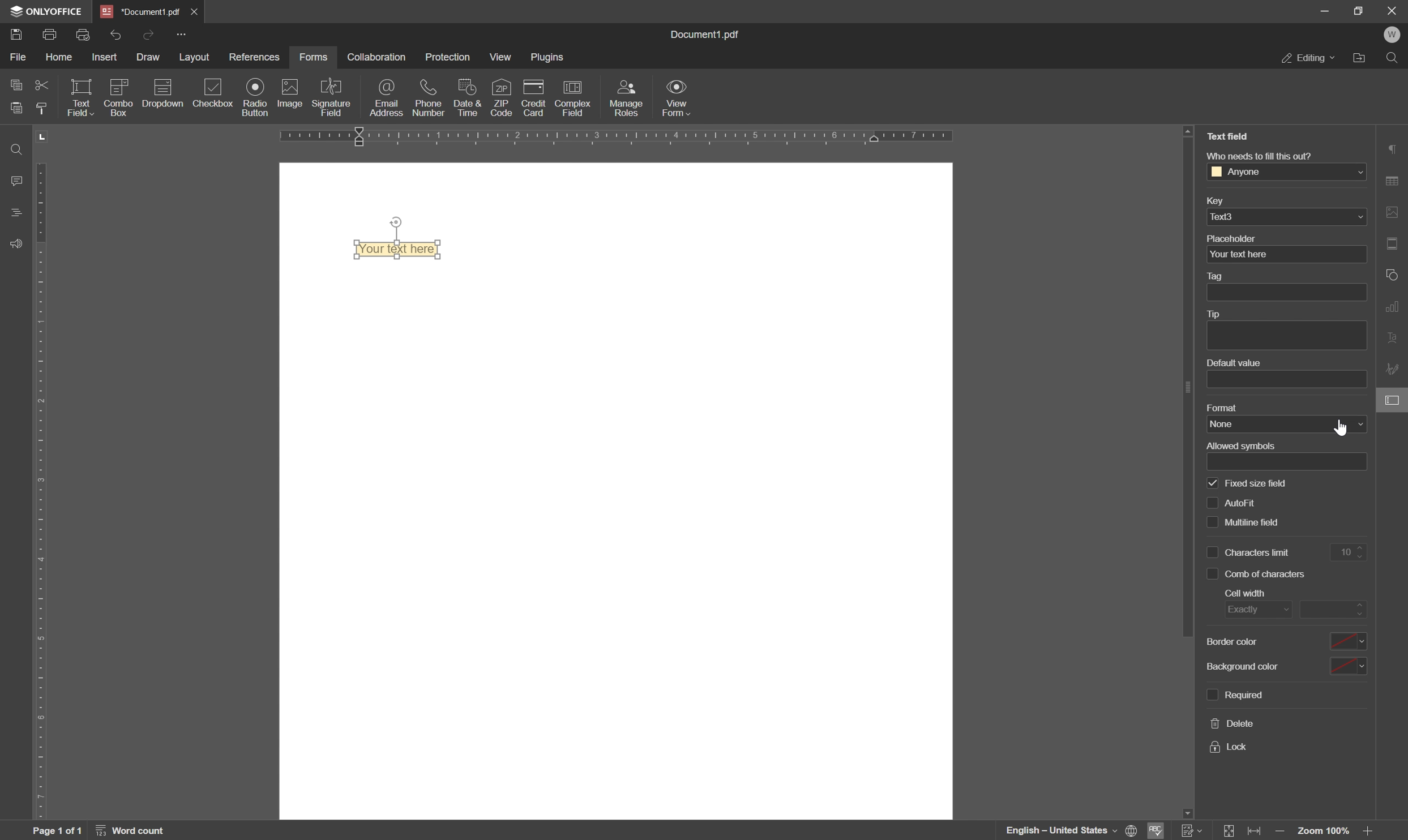  Describe the element at coordinates (181, 34) in the screenshot. I see `Quick Access Toolbar` at that location.